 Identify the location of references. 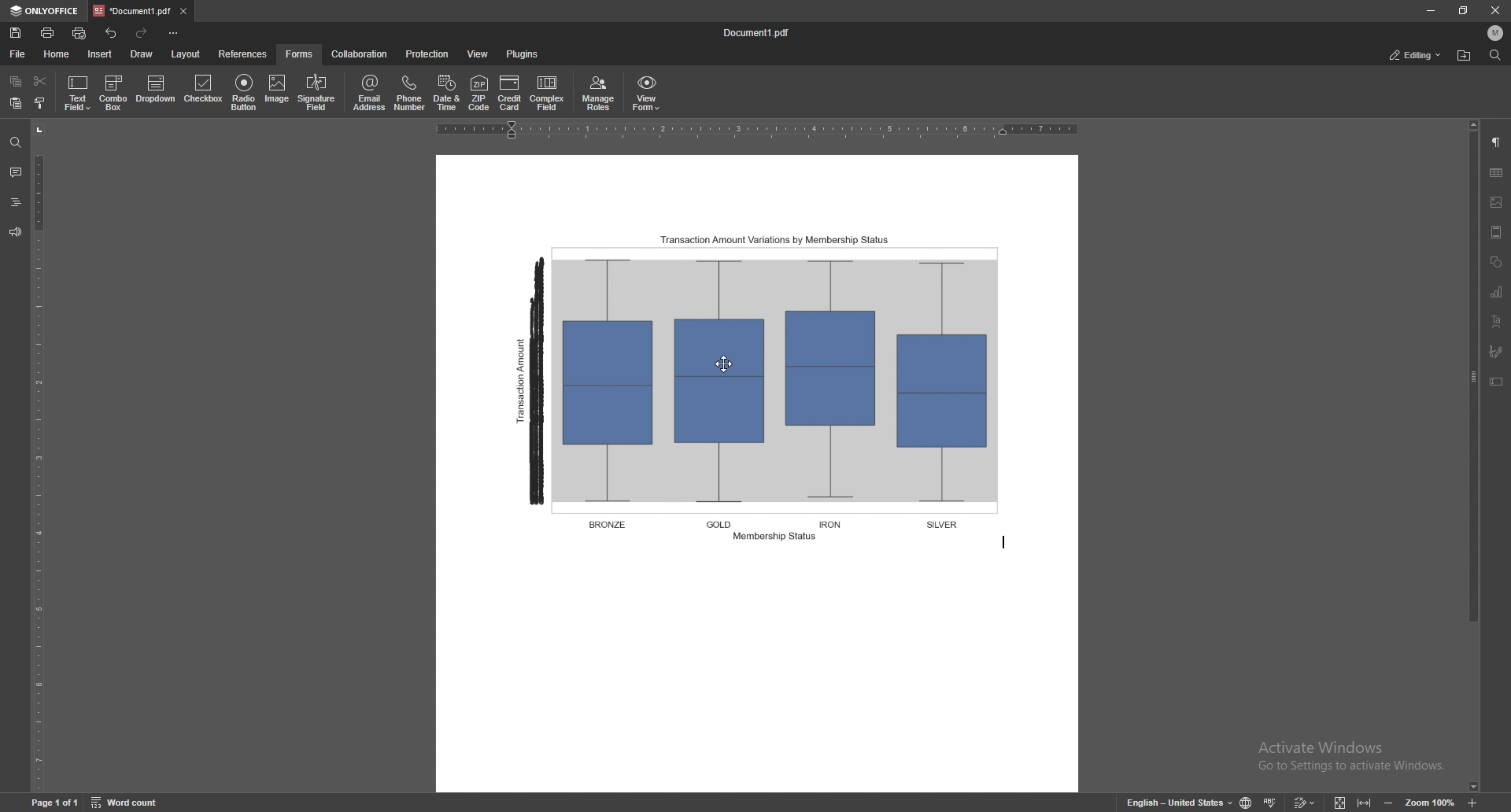
(242, 54).